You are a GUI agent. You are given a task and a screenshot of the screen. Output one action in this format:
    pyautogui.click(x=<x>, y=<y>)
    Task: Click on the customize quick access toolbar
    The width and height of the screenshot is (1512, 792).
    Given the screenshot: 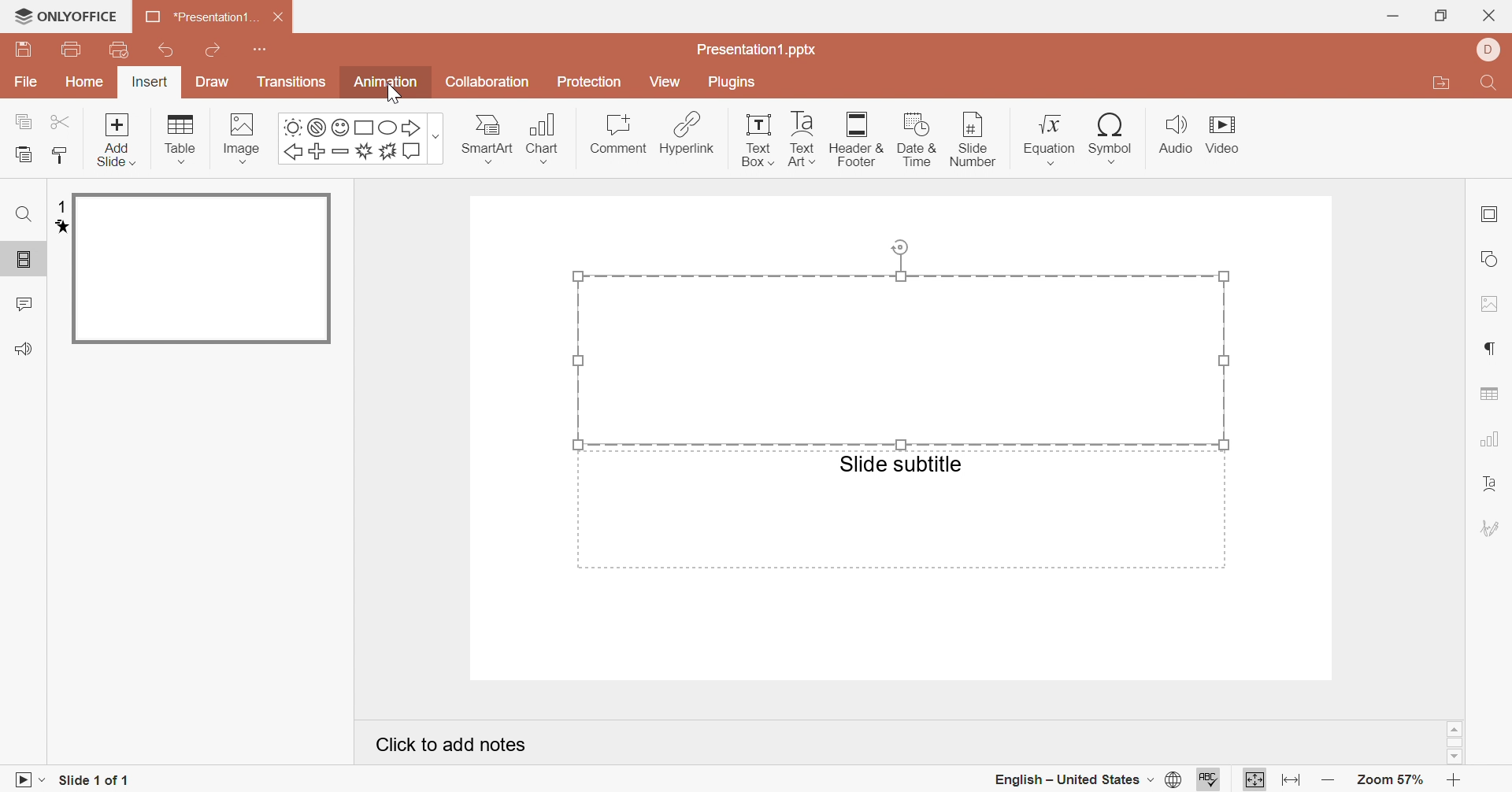 What is the action you would take?
    pyautogui.click(x=260, y=50)
    